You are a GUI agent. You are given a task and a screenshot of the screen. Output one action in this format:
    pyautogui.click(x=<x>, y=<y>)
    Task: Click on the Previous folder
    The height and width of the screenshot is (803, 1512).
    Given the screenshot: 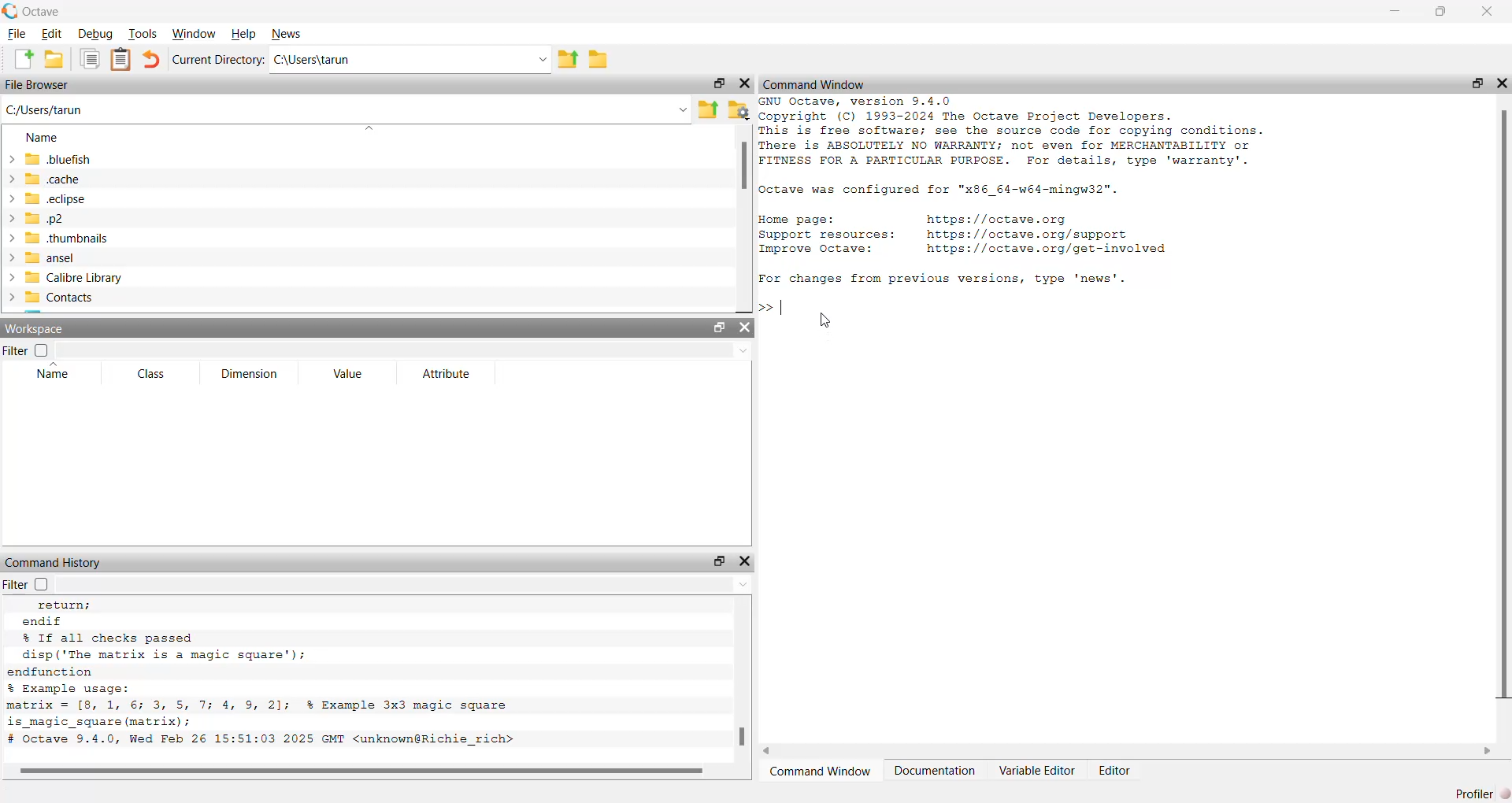 What is the action you would take?
    pyautogui.click(x=568, y=61)
    